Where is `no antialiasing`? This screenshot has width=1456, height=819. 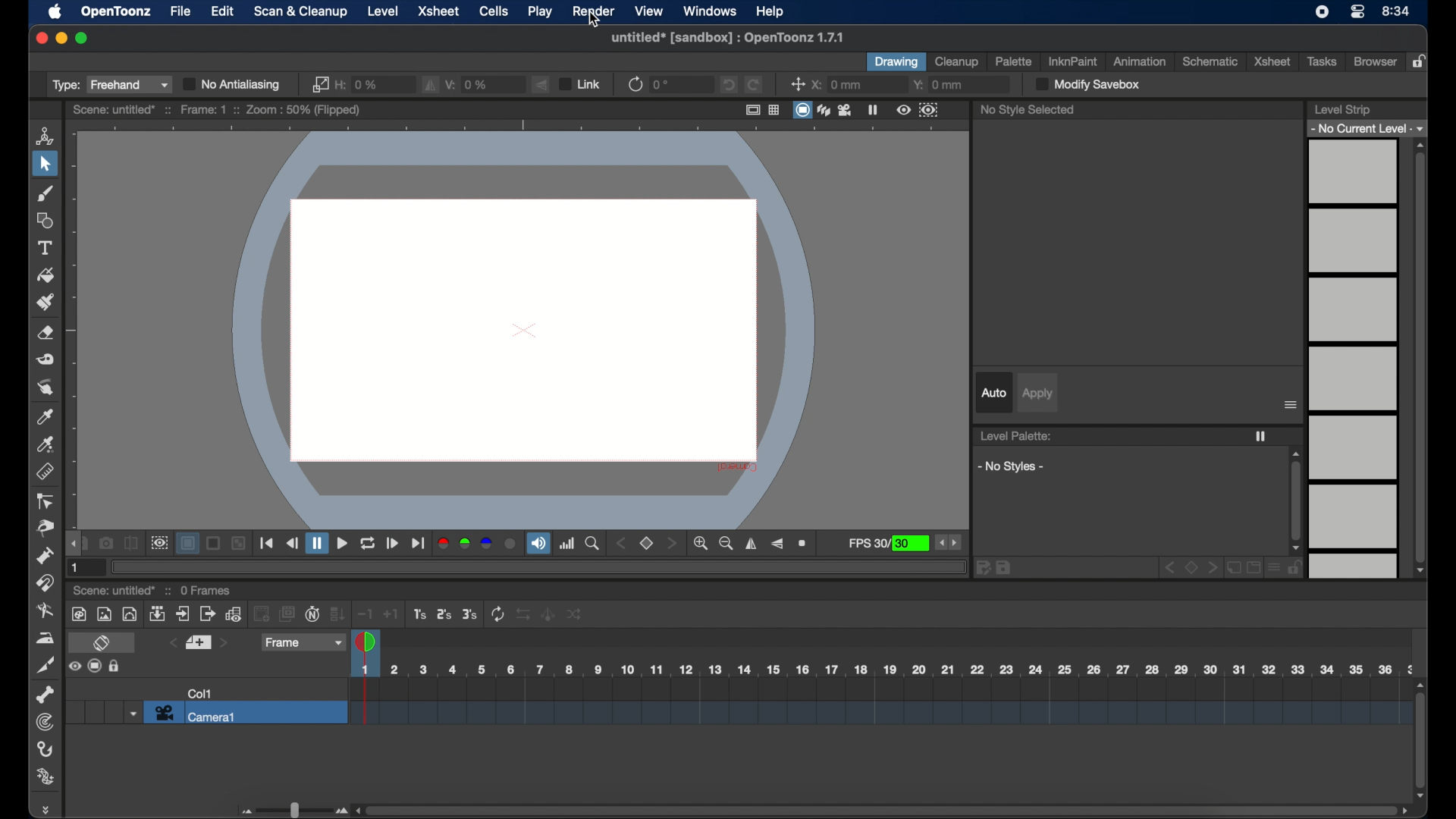 no antialiasing is located at coordinates (233, 84).